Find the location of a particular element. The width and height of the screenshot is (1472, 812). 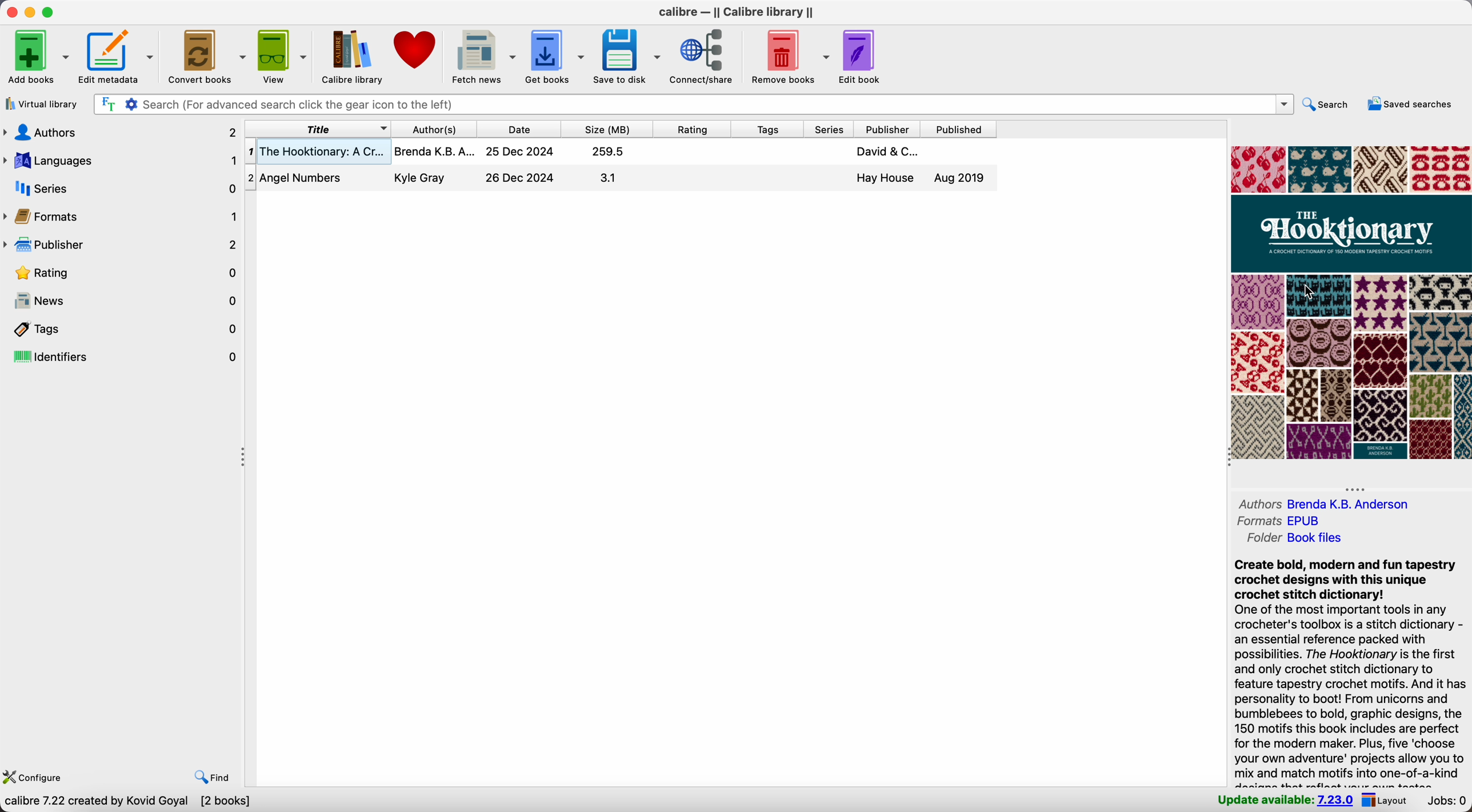

edit book is located at coordinates (861, 56).